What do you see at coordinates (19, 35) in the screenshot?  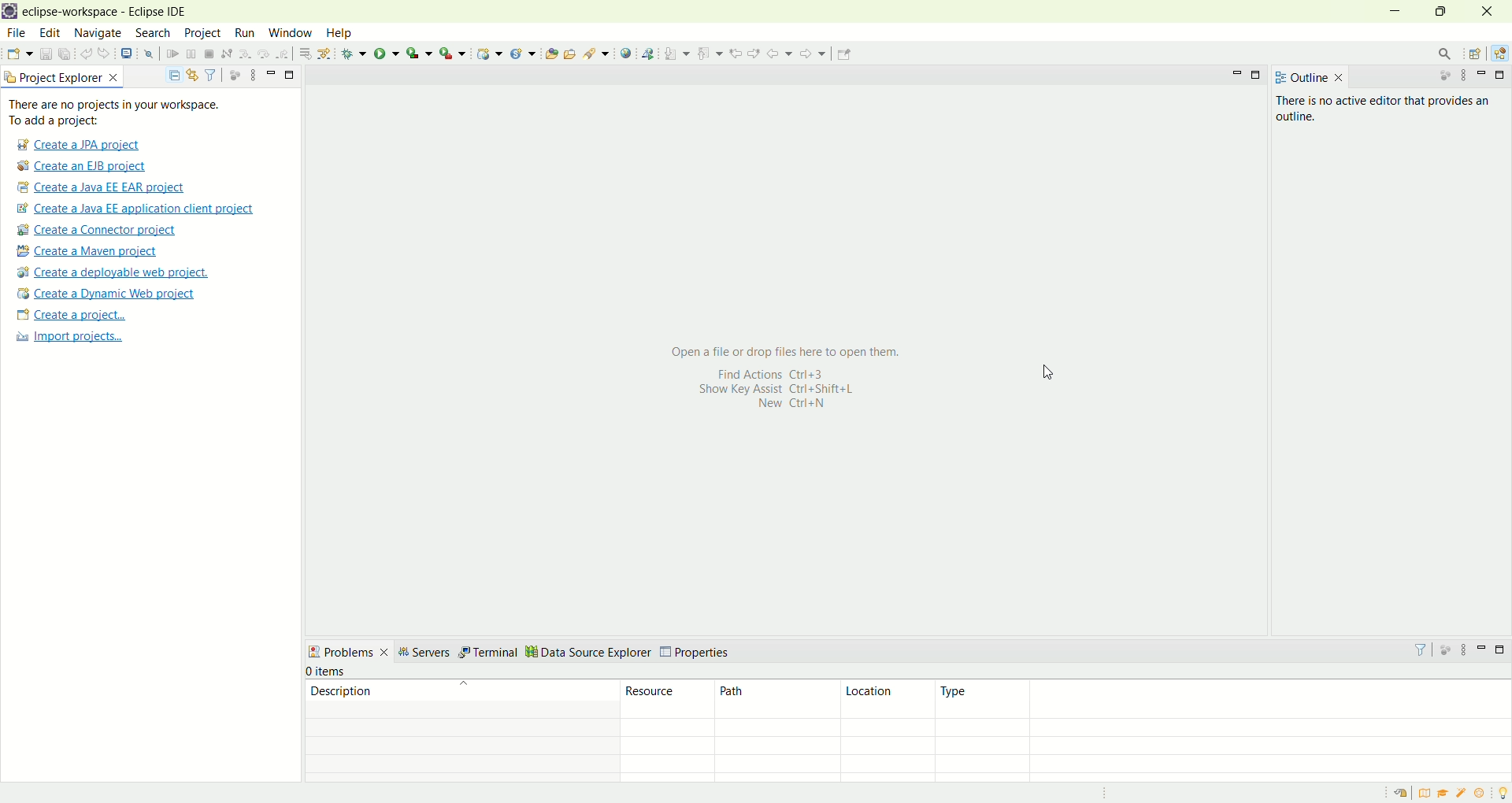 I see `file` at bounding box center [19, 35].